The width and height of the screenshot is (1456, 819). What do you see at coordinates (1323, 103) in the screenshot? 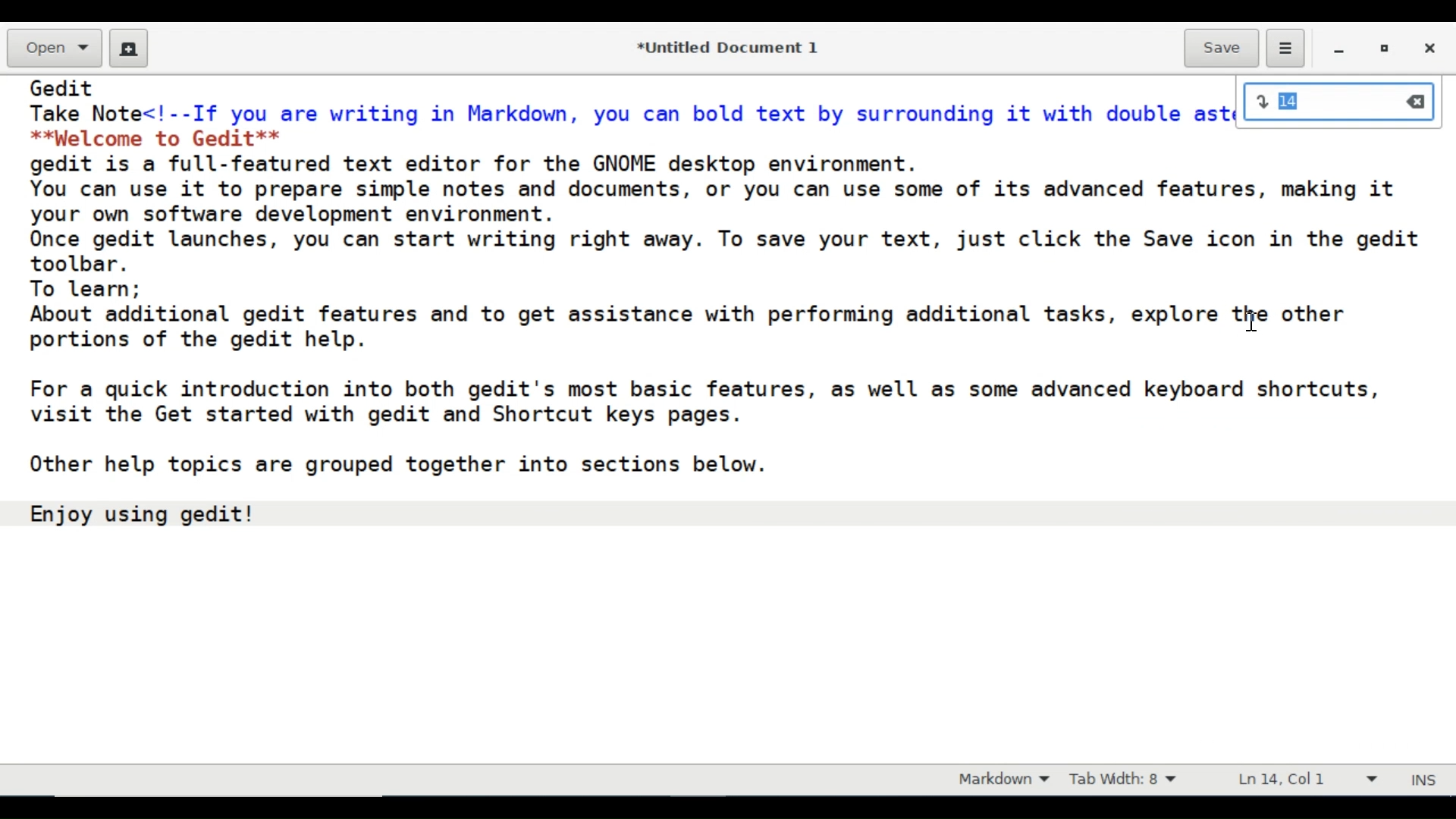
I see `input line number` at bounding box center [1323, 103].